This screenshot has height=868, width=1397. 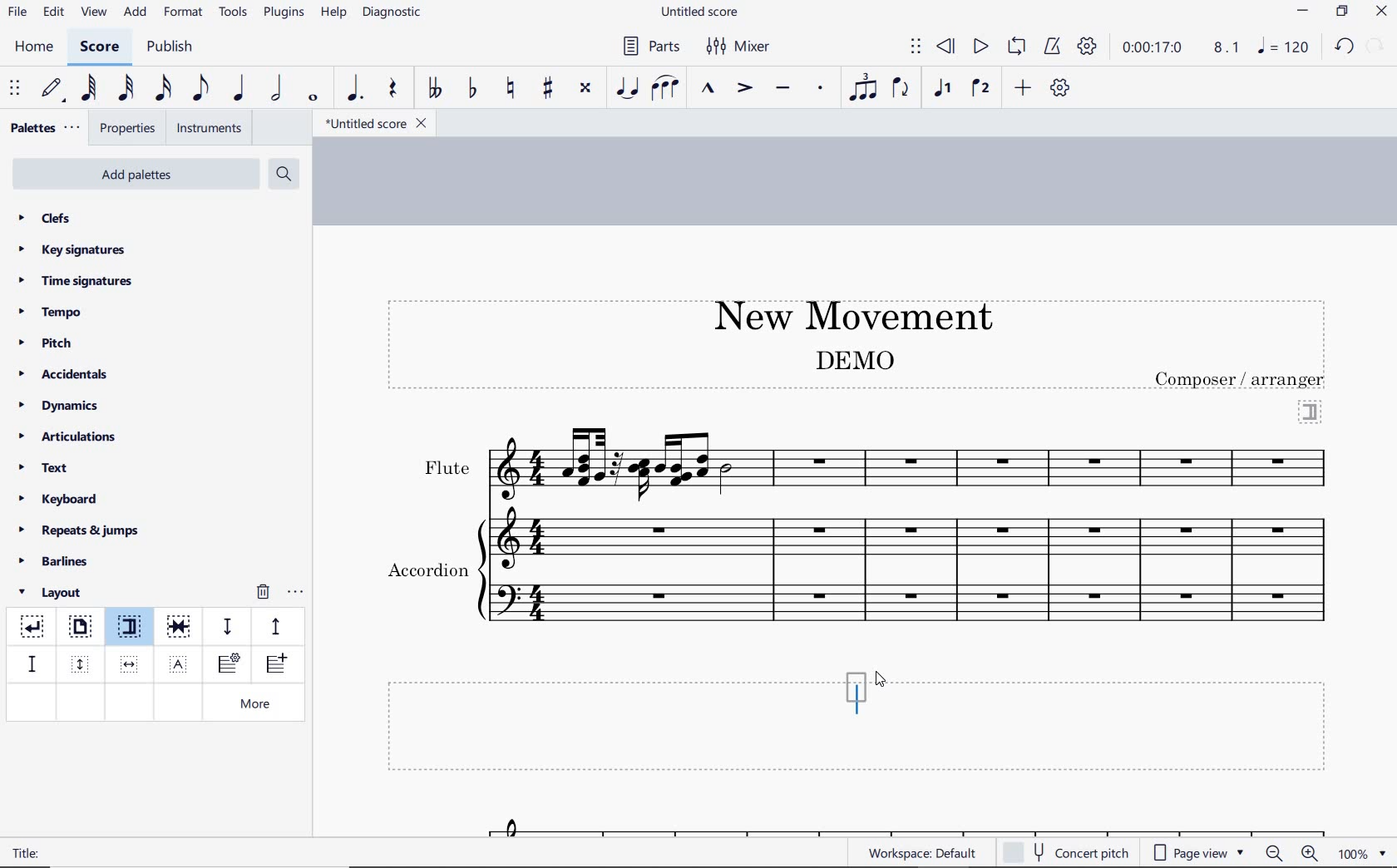 What do you see at coordinates (52, 343) in the screenshot?
I see `pitch` at bounding box center [52, 343].